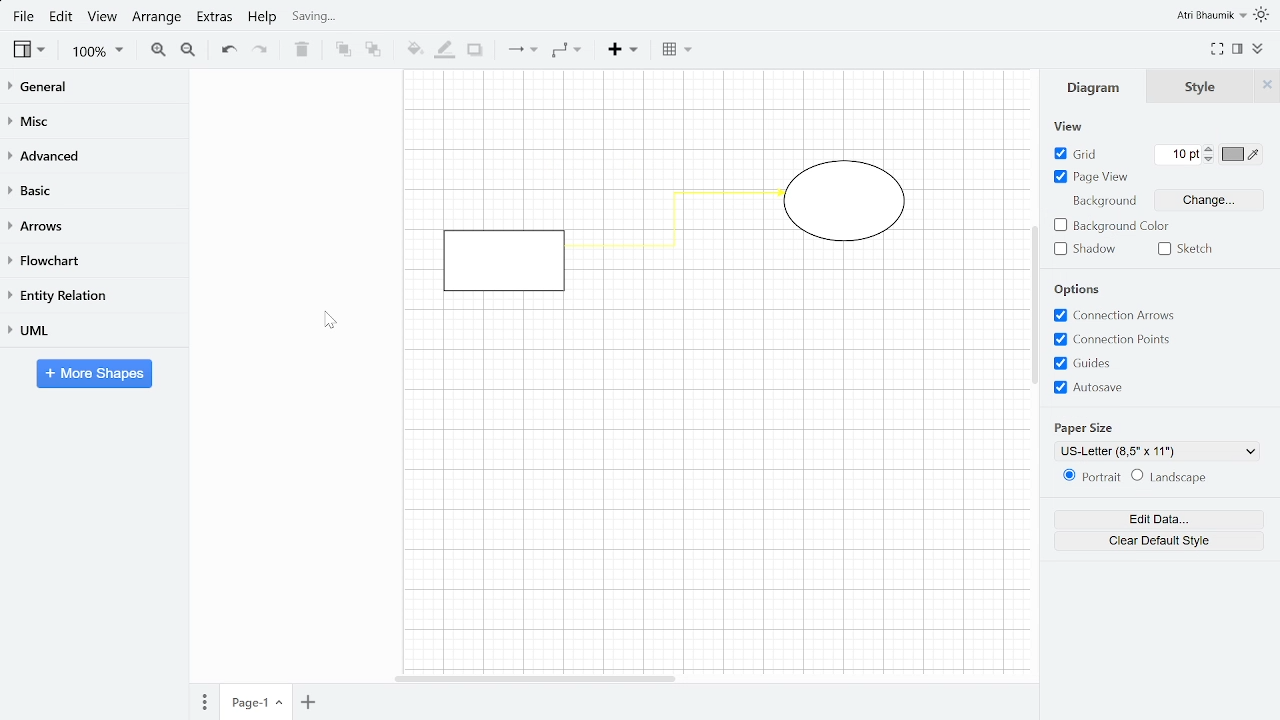 Image resolution: width=1280 pixels, height=720 pixels. I want to click on Horizontal scrollbar, so click(538, 679).